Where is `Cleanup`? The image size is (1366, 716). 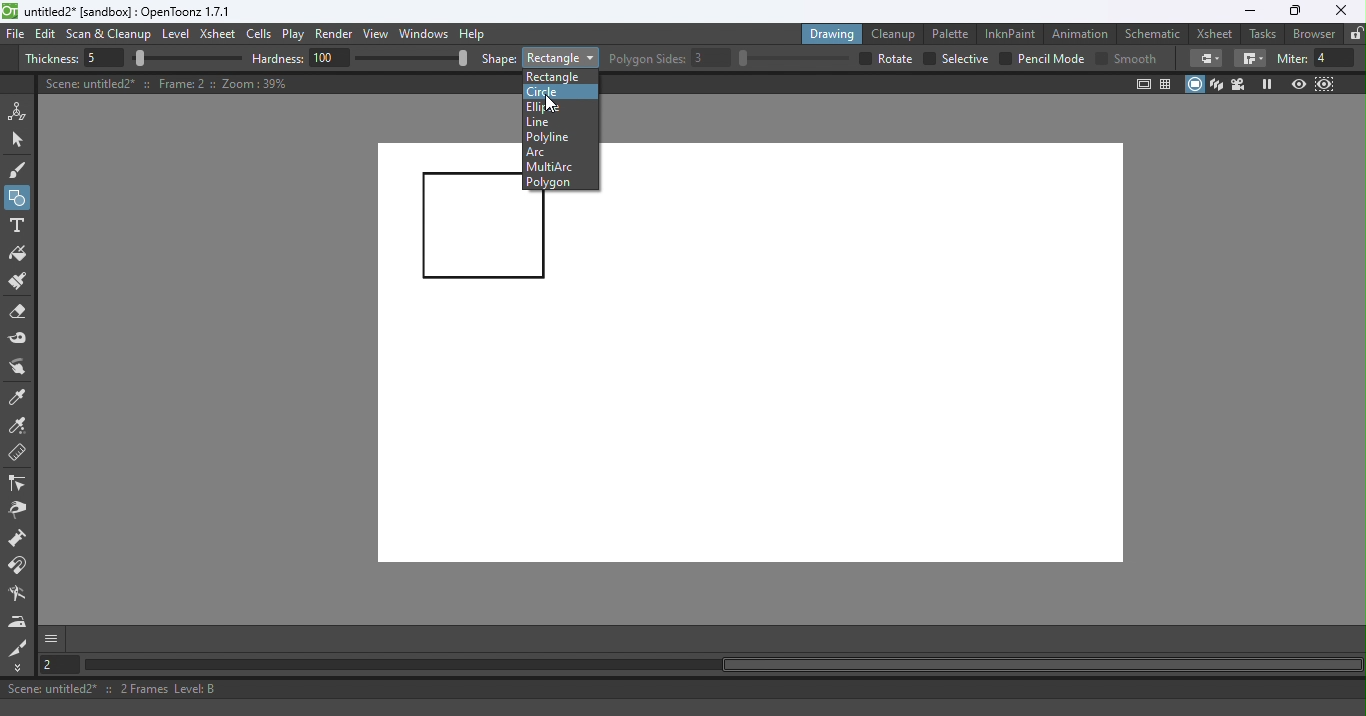
Cleanup is located at coordinates (897, 33).